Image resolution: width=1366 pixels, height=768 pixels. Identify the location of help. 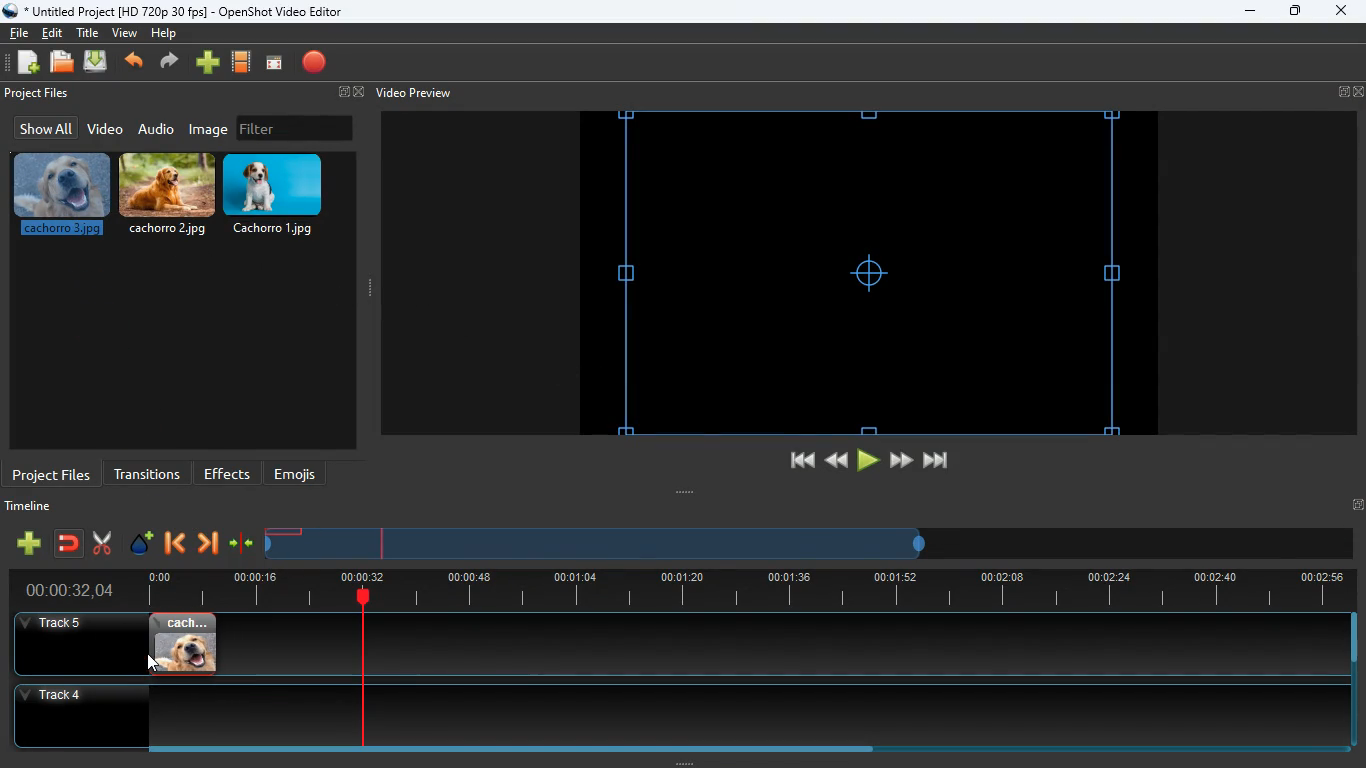
(163, 36).